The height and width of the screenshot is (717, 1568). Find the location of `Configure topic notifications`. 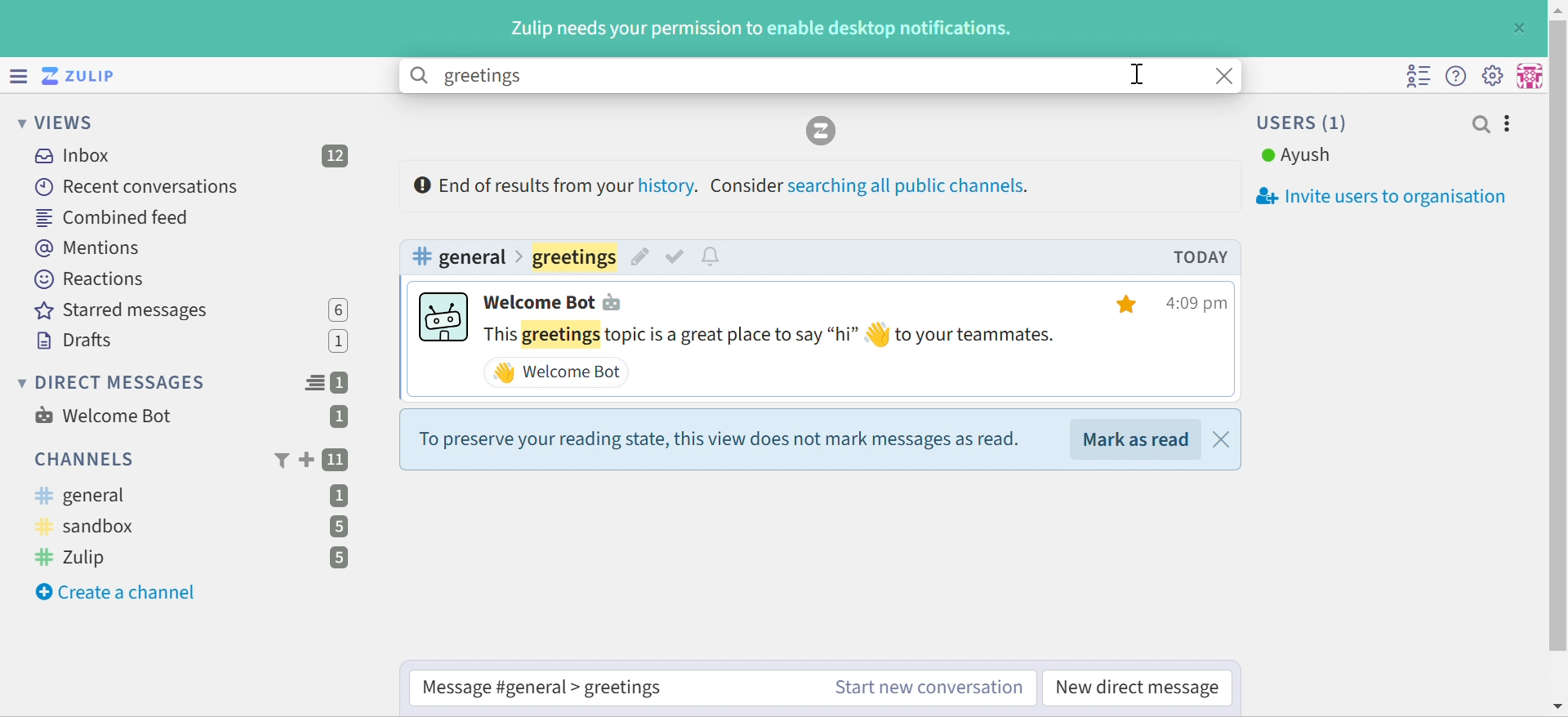

Configure topic notifications is located at coordinates (715, 258).